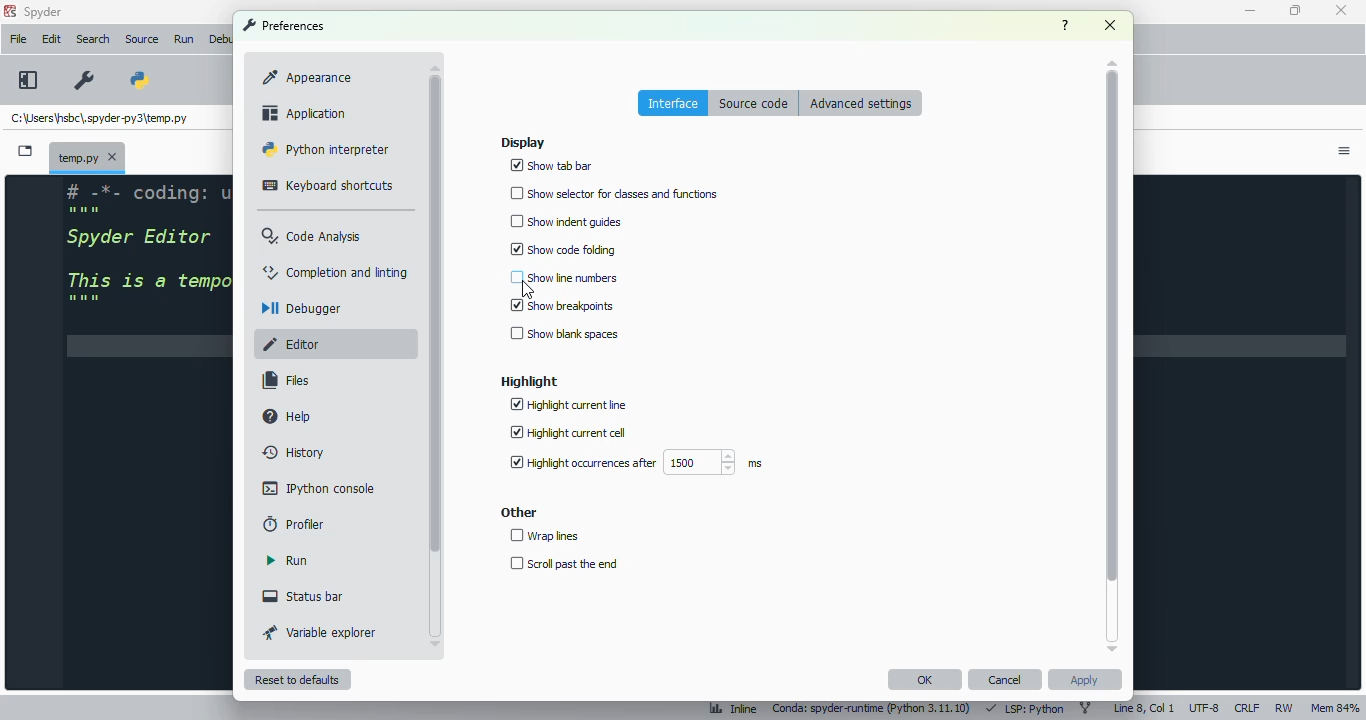 This screenshot has height=720, width=1366. I want to click on code analysis, so click(314, 237).